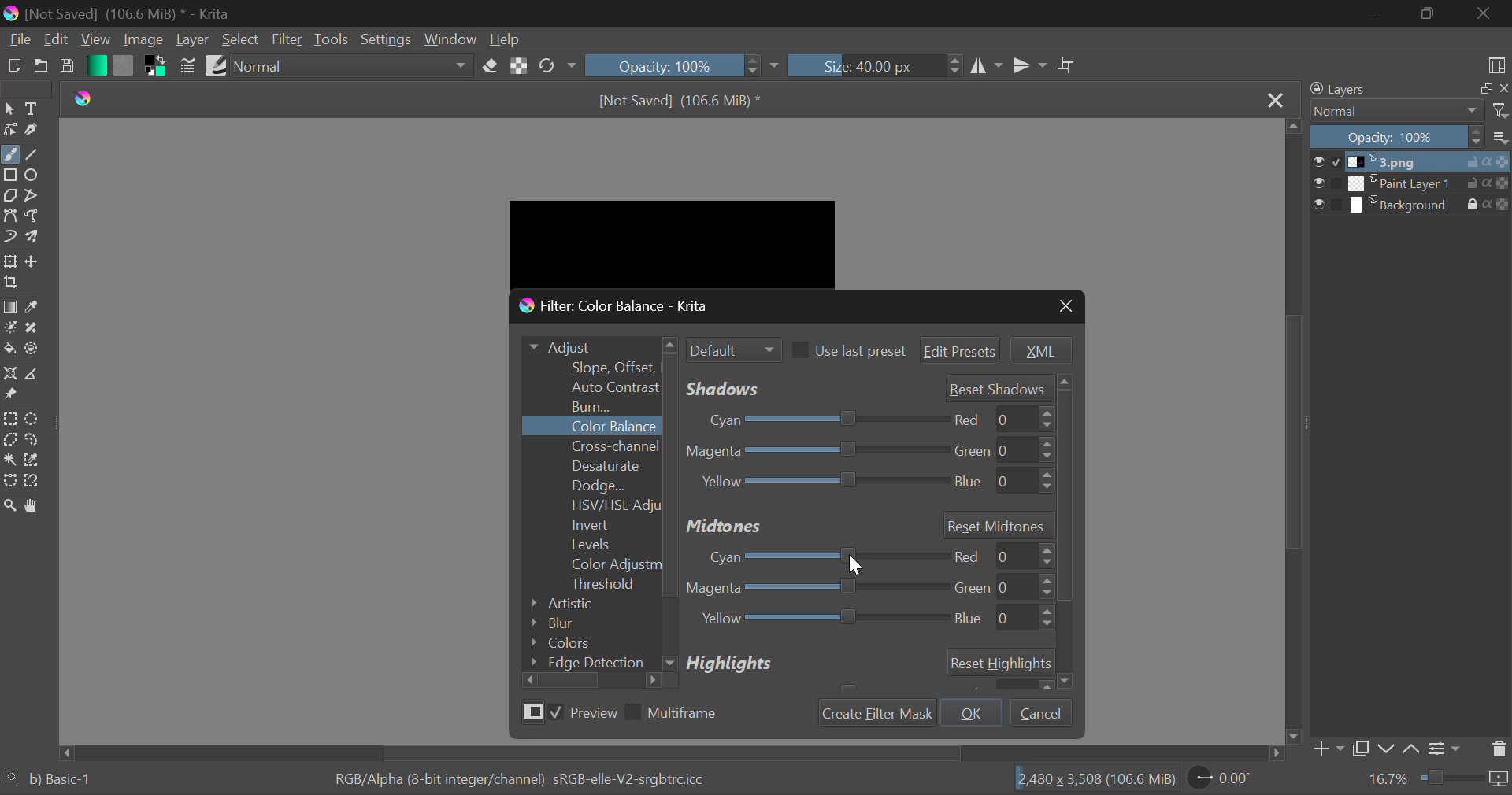  Describe the element at coordinates (9, 197) in the screenshot. I see `Polygons` at that location.